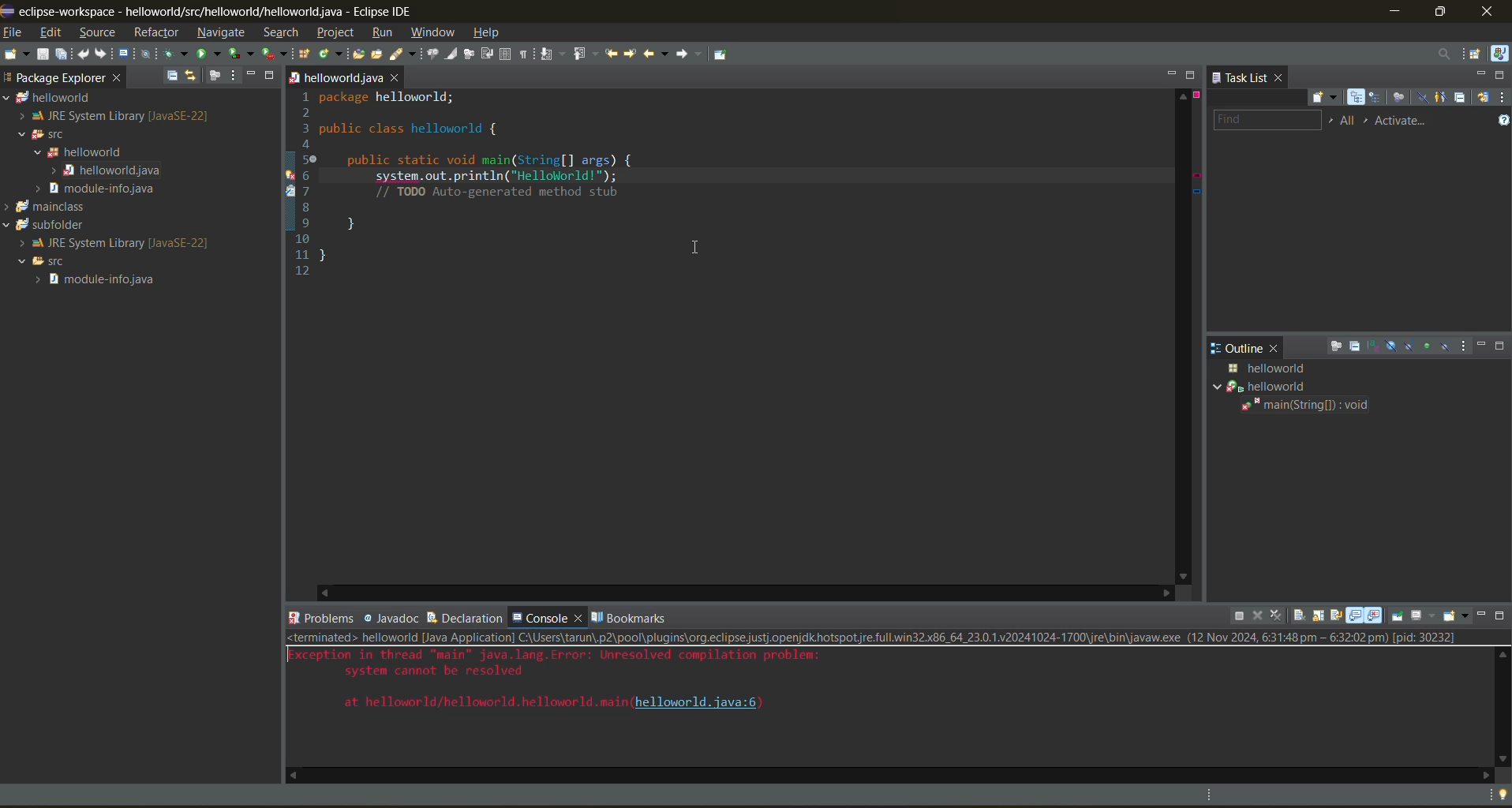 This screenshot has width=1512, height=808. What do you see at coordinates (102, 54) in the screenshot?
I see `redo` at bounding box center [102, 54].